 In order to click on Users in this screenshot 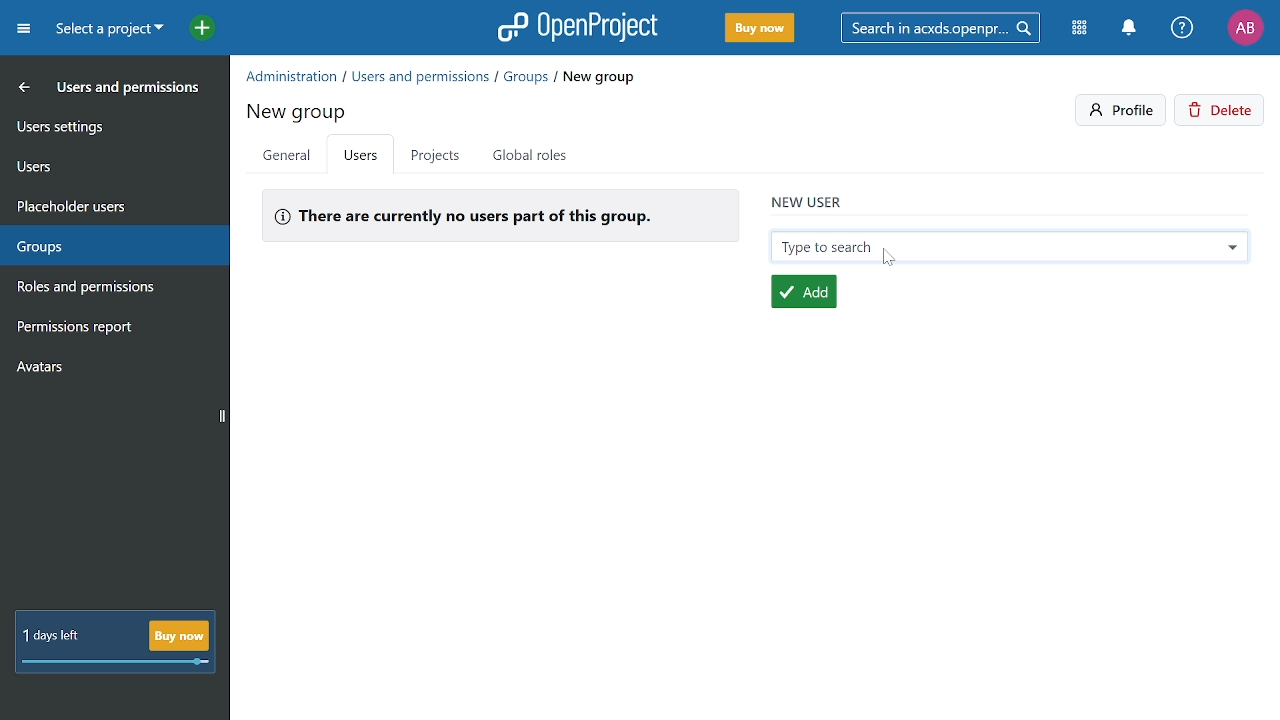, I will do `click(362, 157)`.